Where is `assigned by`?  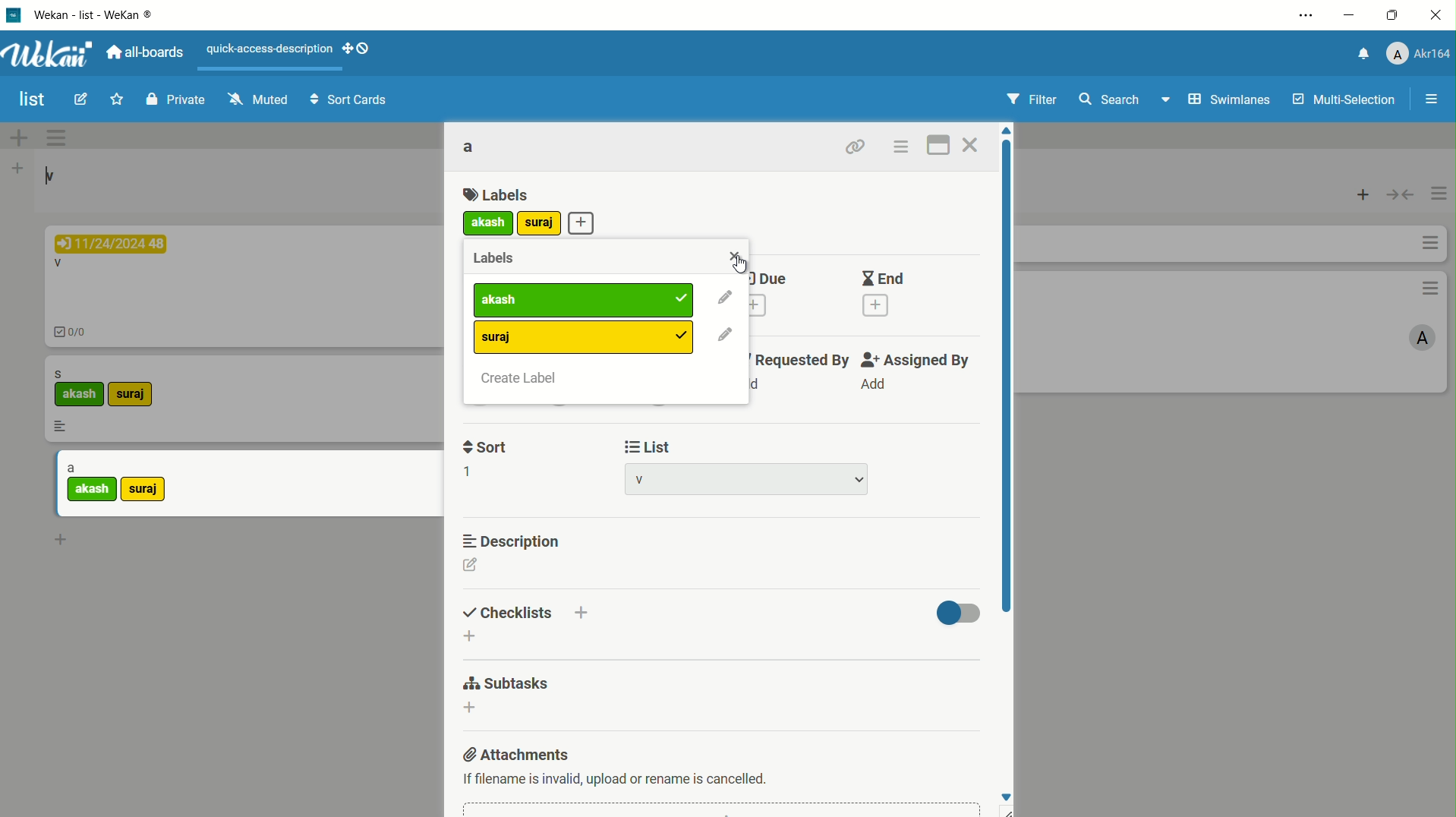
assigned by is located at coordinates (915, 359).